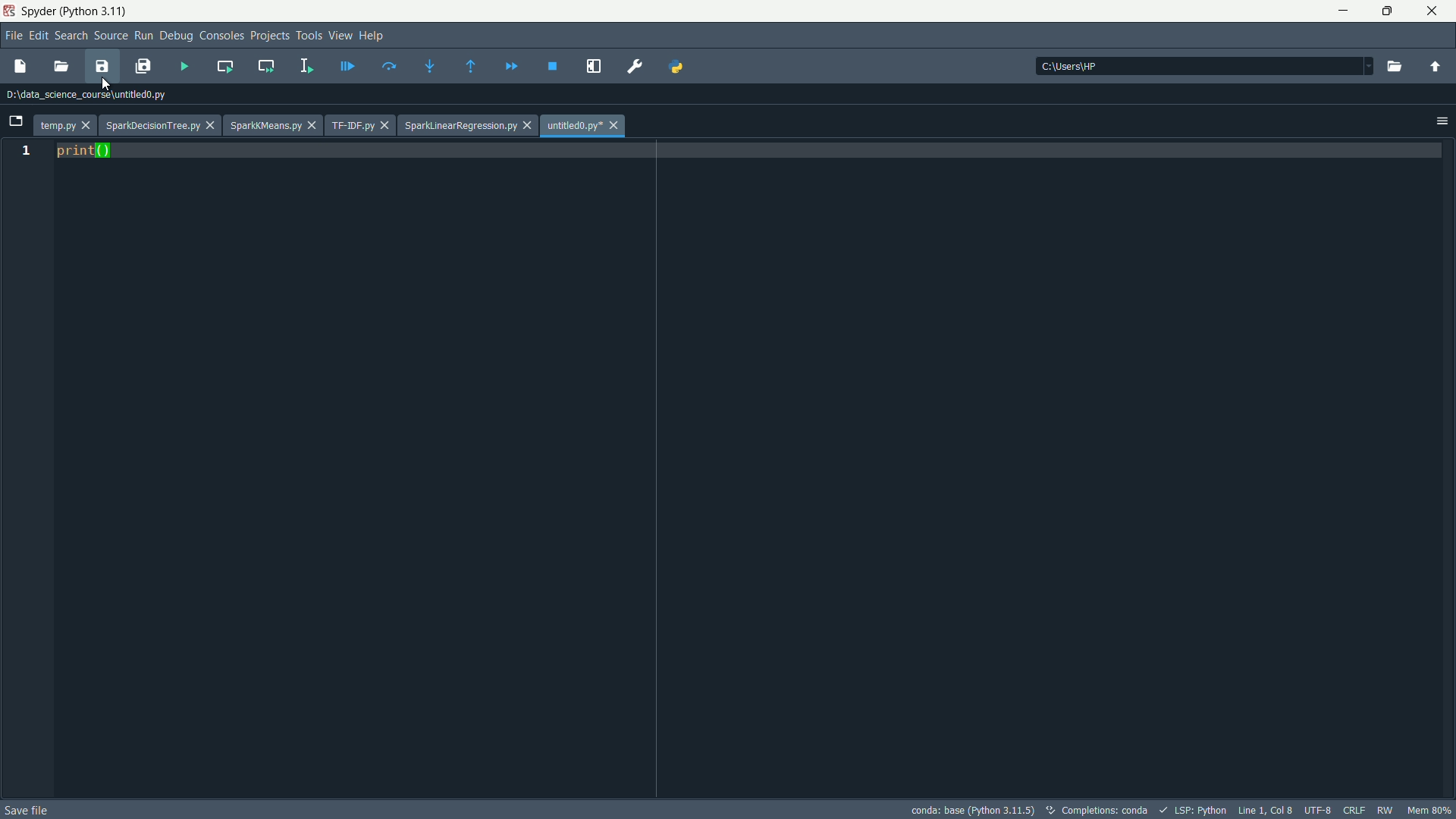 Image resolution: width=1456 pixels, height=819 pixels. What do you see at coordinates (590, 66) in the screenshot?
I see `maximize current pane` at bounding box center [590, 66].